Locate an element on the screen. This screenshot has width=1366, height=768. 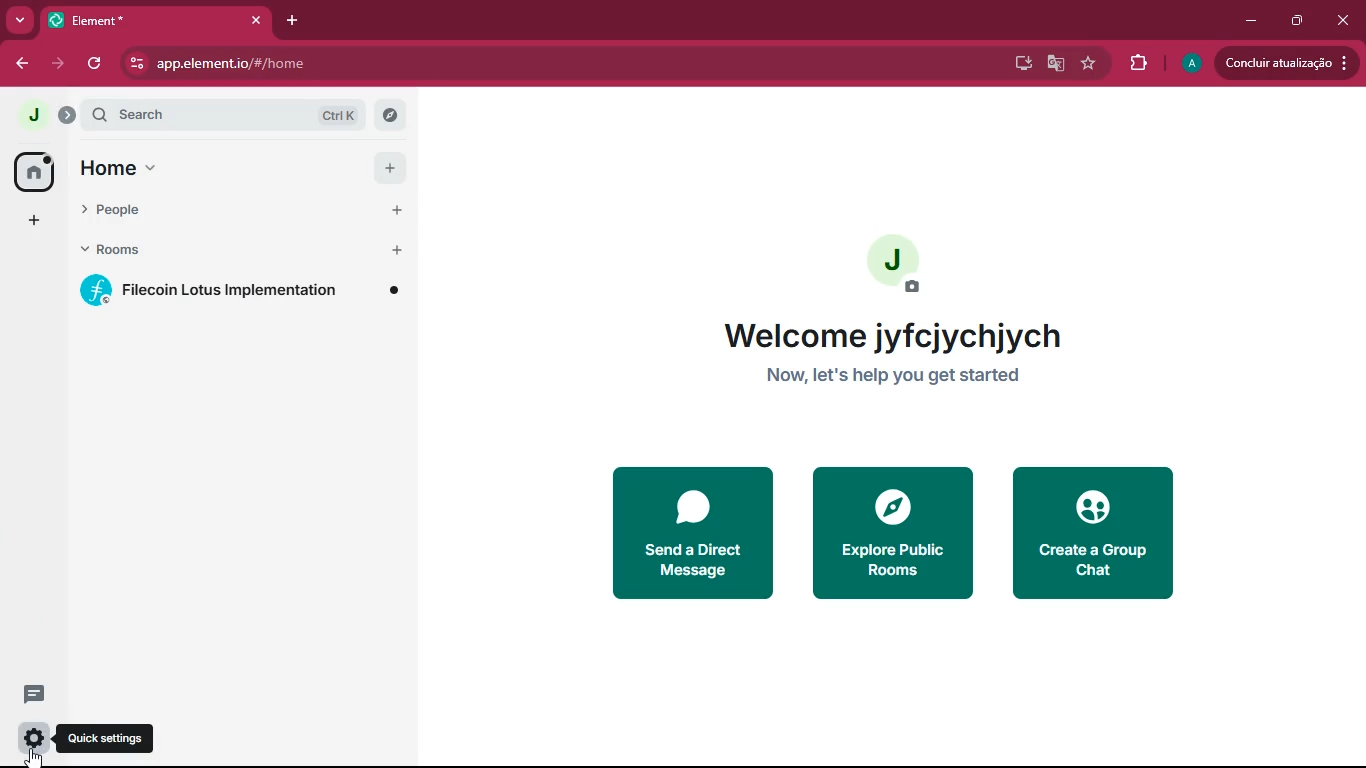
threads is located at coordinates (34, 693).